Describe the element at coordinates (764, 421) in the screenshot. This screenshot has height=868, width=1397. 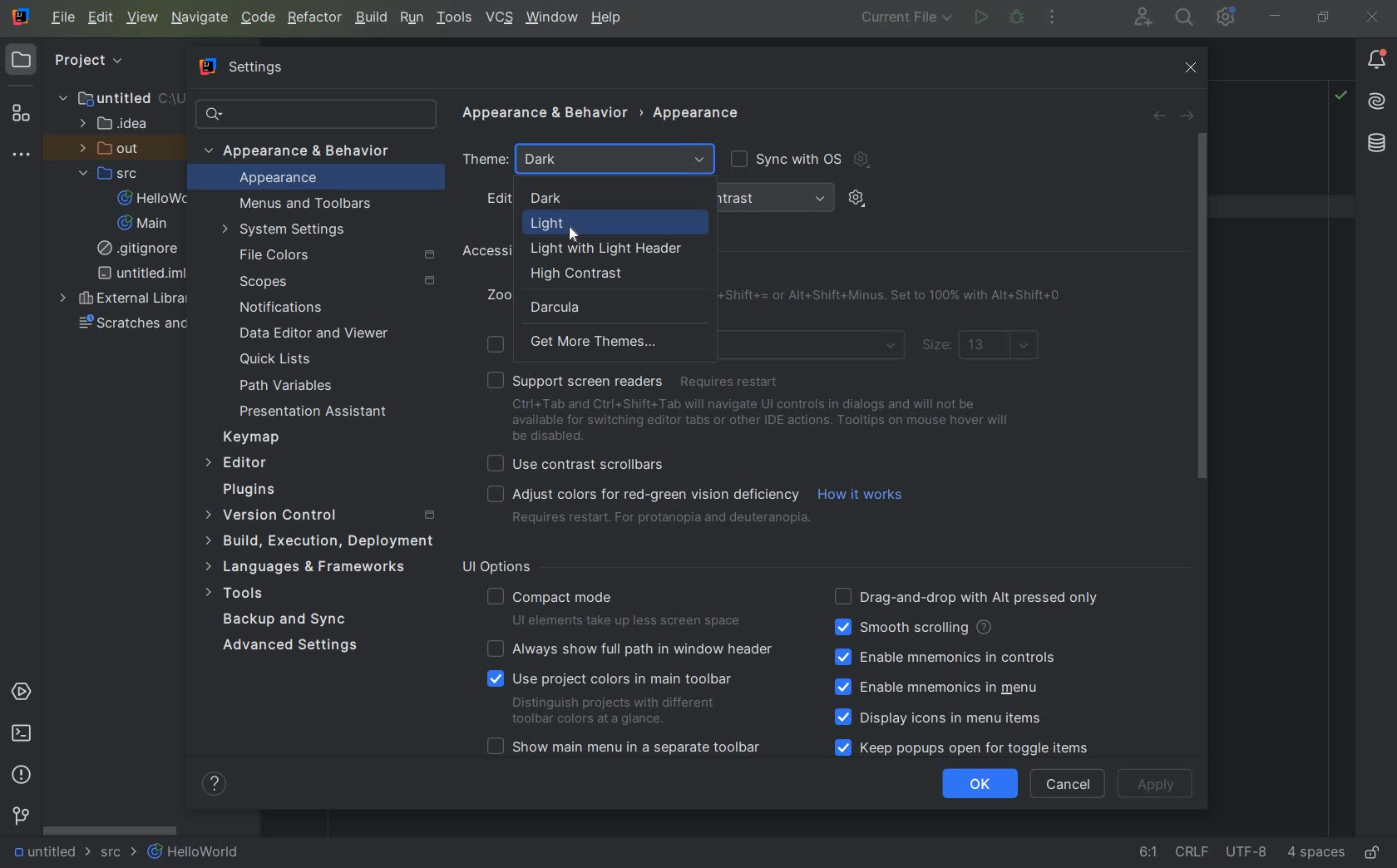
I see `(Information on support system)Ctri+Tab and Ctri+Shift+Tab will navigate Ul controls in dialogs and will not beavailable for switching editor tabs or other IDE actions. Tooltips on mouse hover willhe dicabled.` at that location.